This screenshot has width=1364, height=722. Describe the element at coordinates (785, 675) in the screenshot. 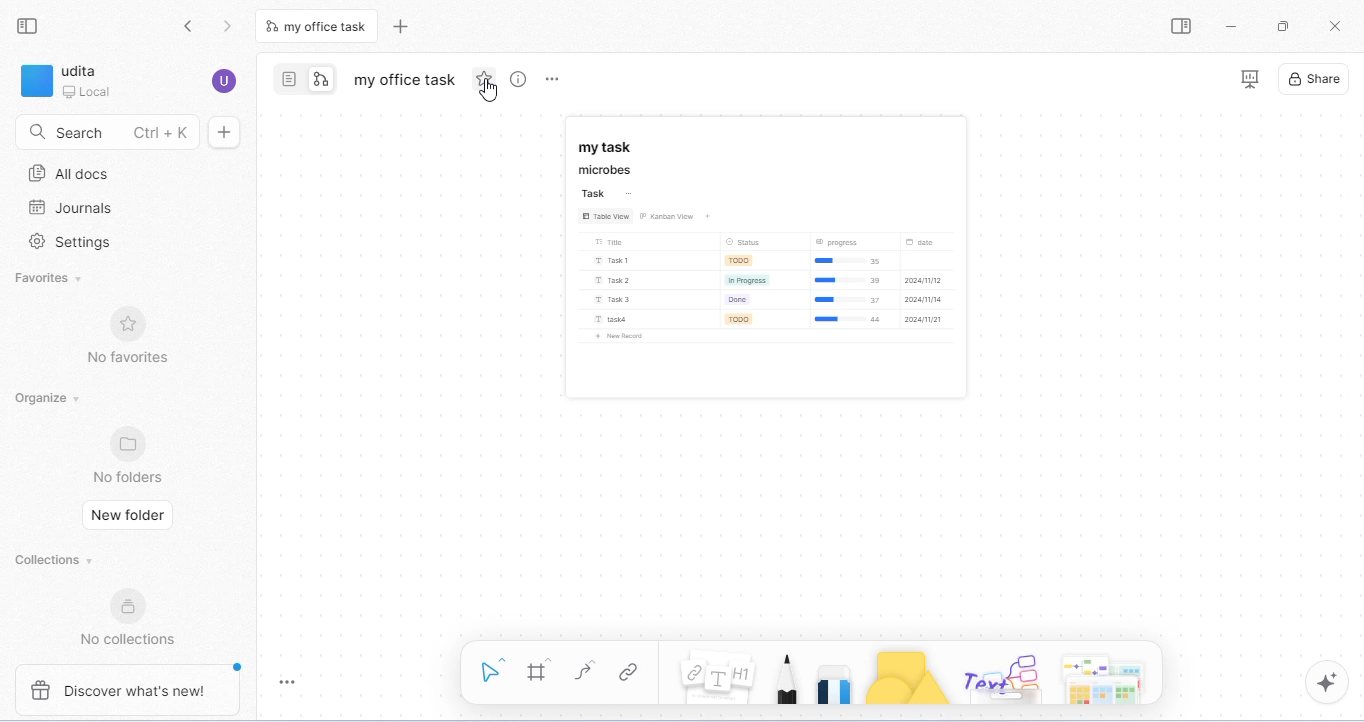

I see `pencil` at that location.